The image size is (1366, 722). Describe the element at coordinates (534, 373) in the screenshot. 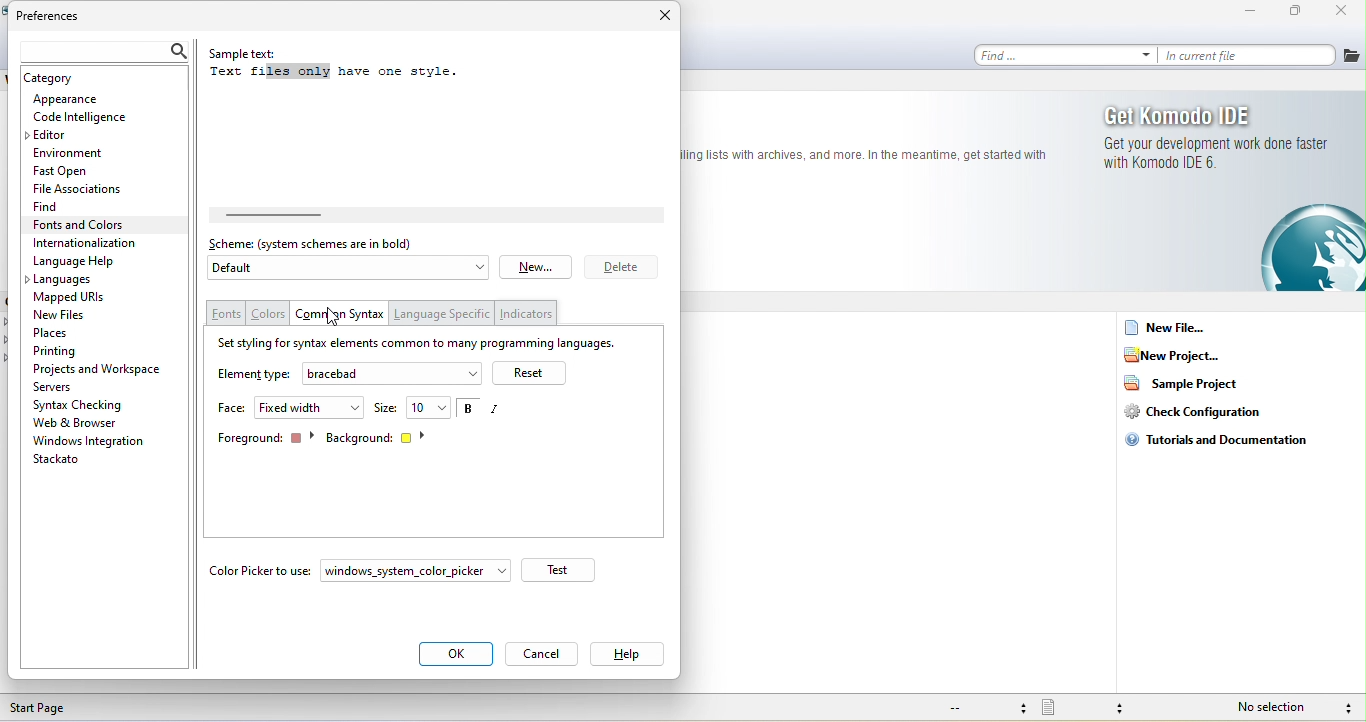

I see `reset` at that location.